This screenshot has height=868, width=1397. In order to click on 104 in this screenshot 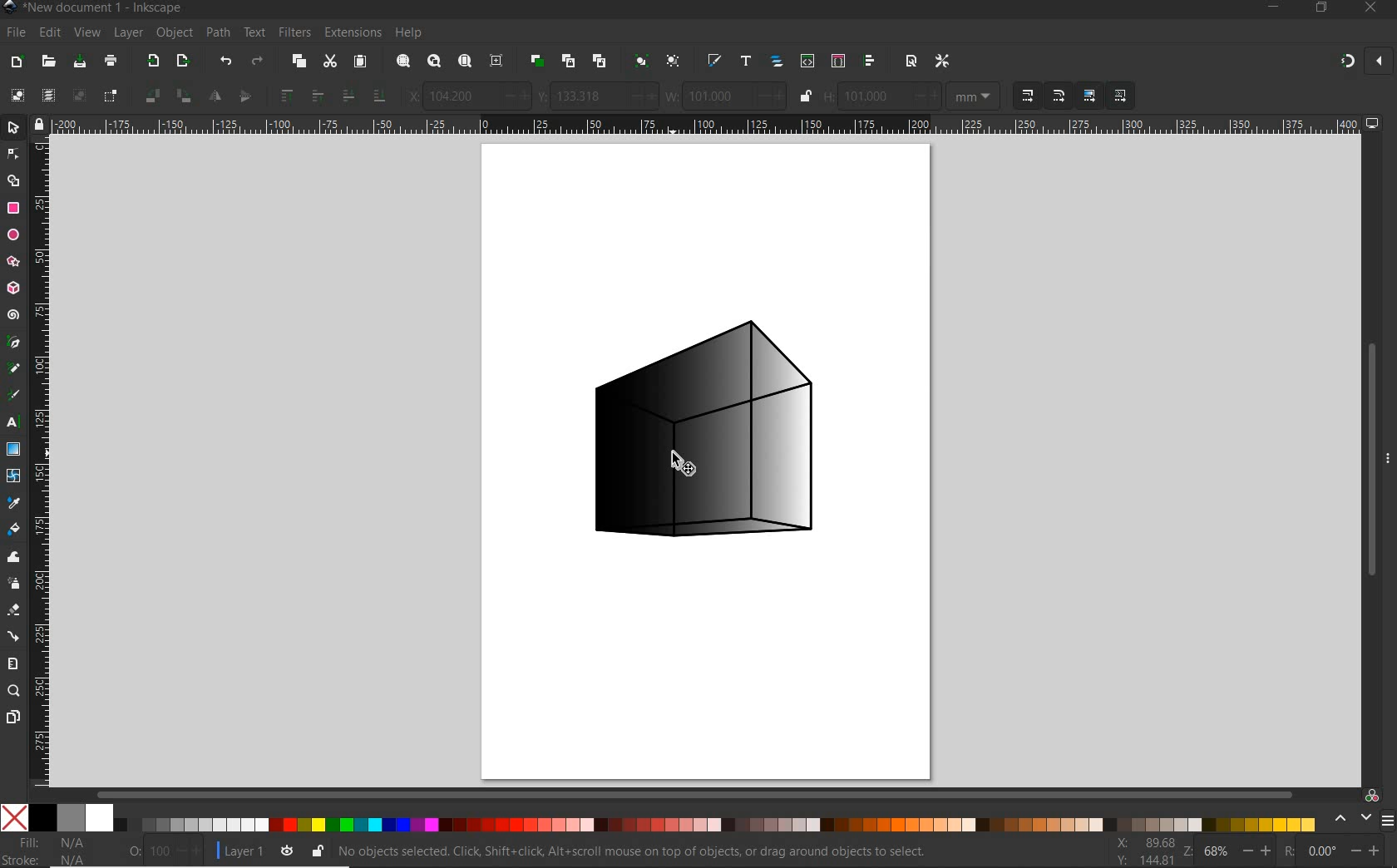, I will do `click(459, 98)`.